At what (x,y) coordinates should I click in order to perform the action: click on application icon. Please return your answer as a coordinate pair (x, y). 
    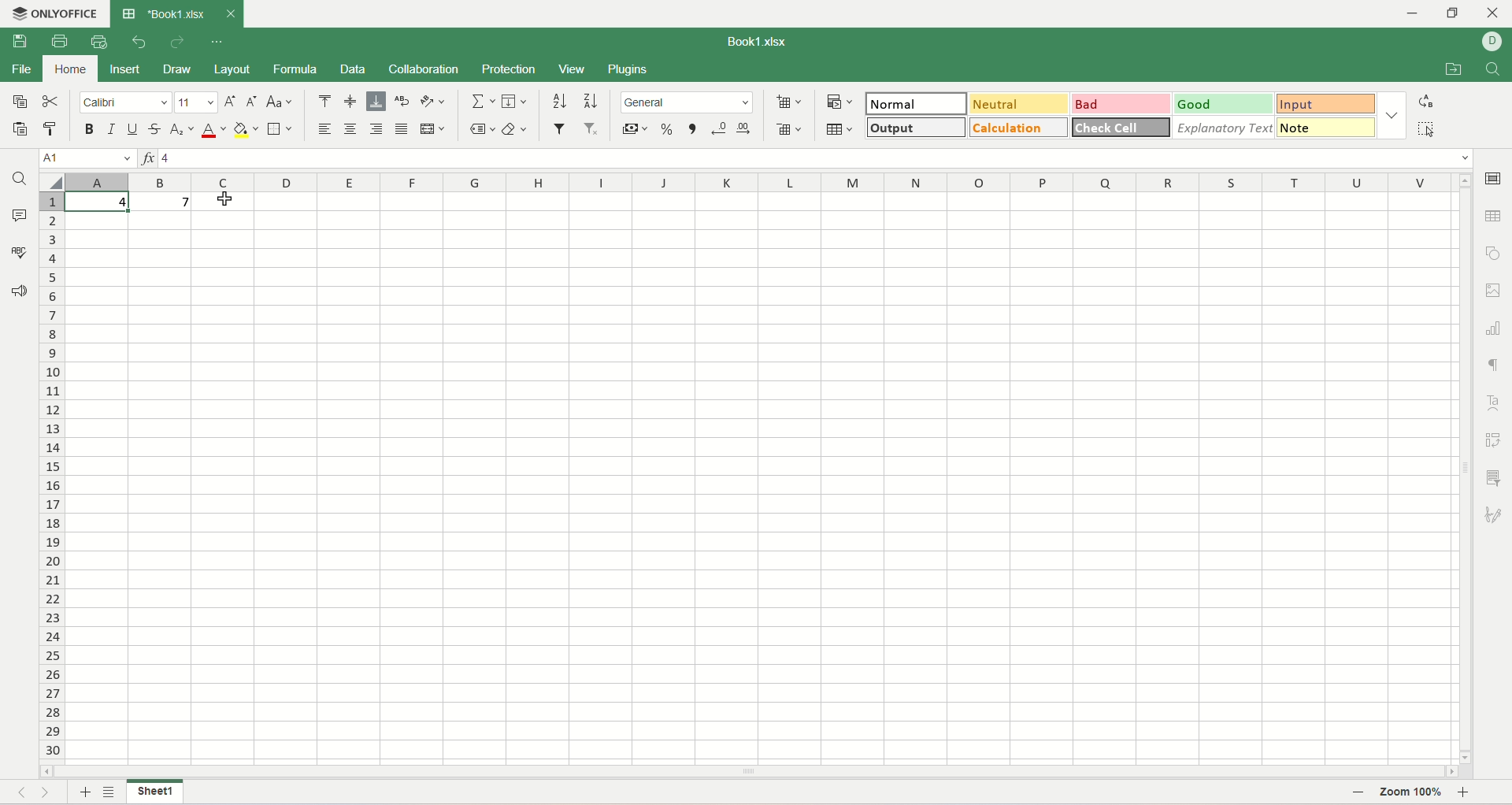
    Looking at the image, I should click on (14, 12).